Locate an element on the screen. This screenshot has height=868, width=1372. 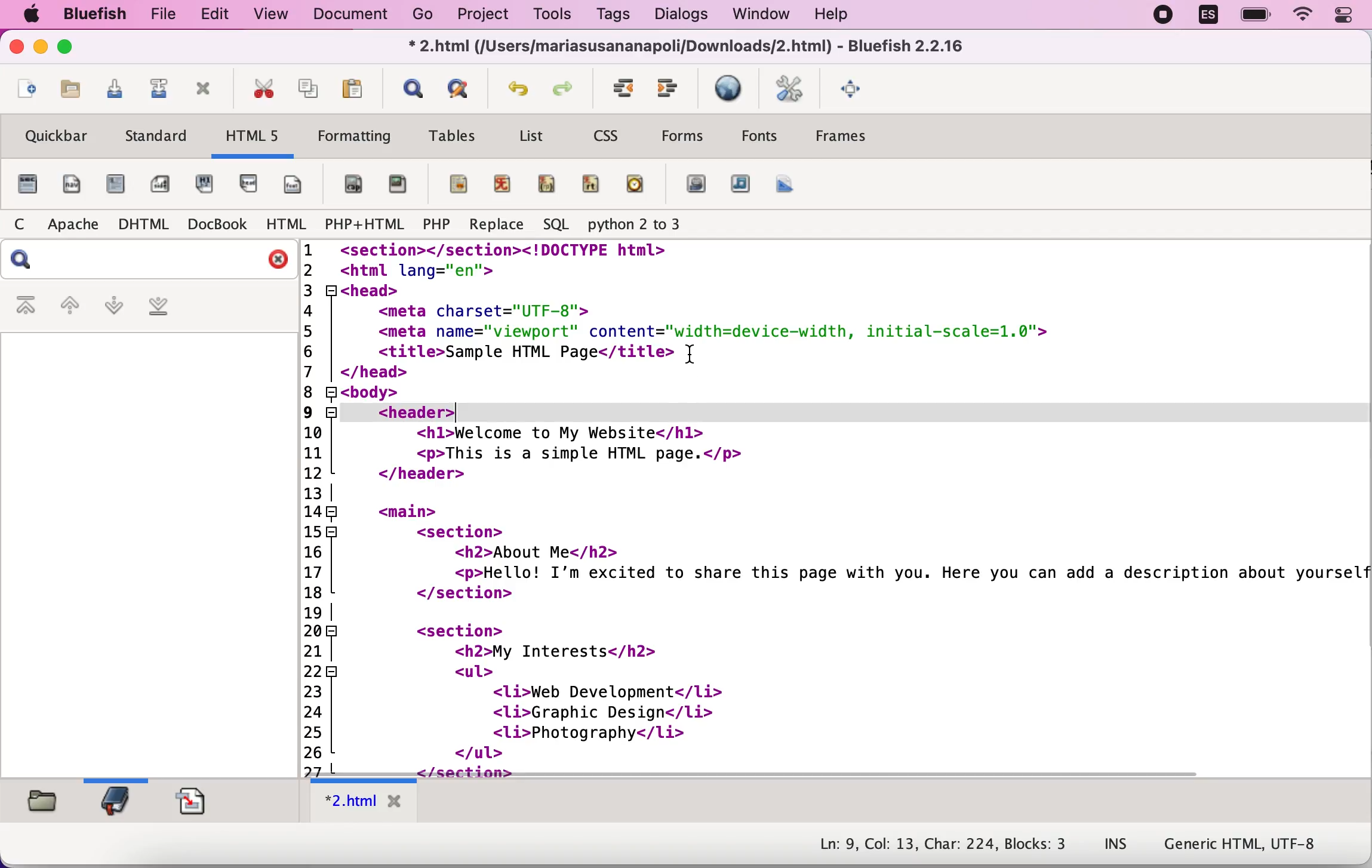
advanced find and replace is located at coordinates (463, 88).